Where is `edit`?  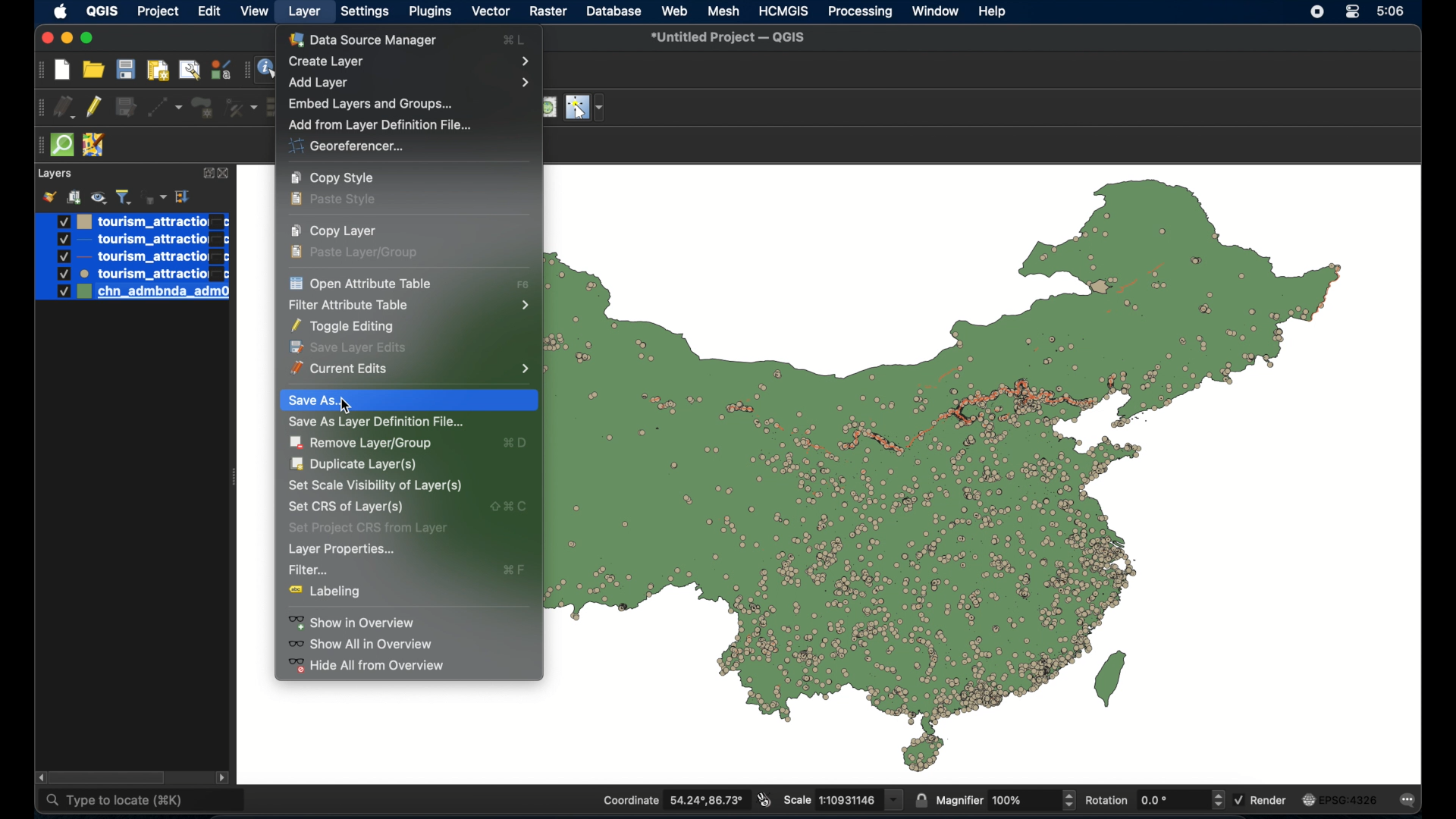
edit is located at coordinates (209, 13).